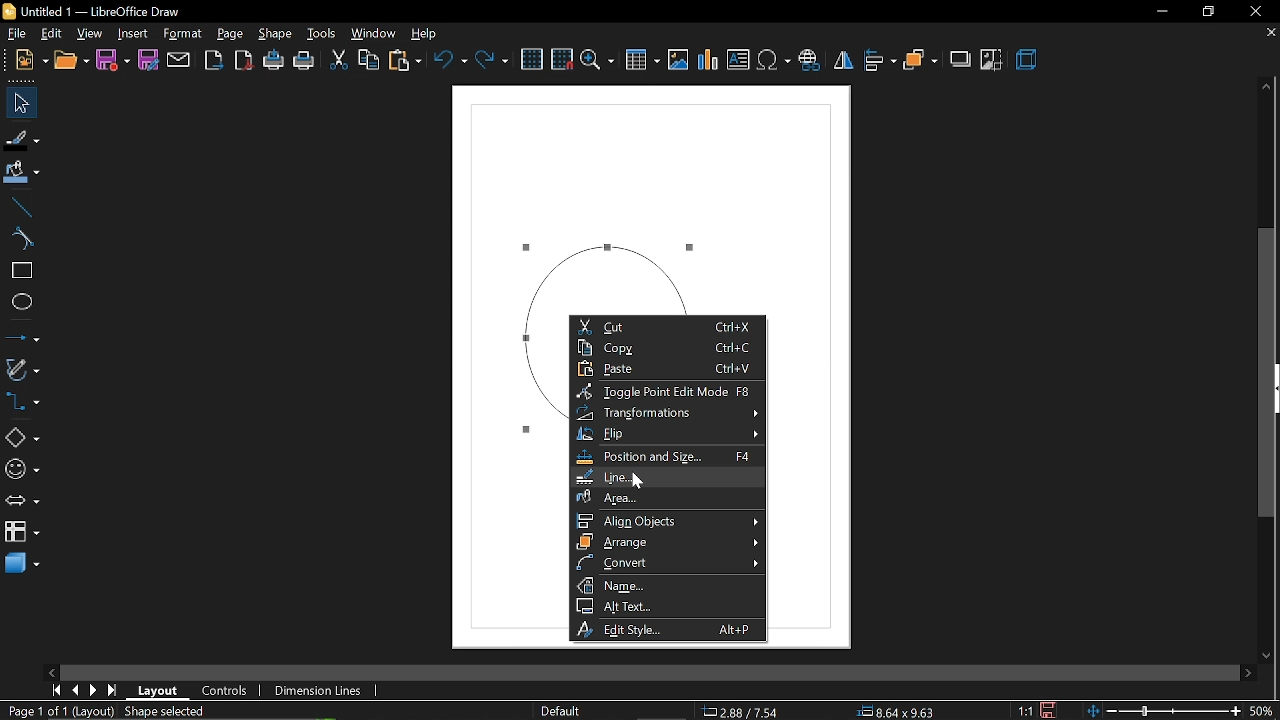 The width and height of the screenshot is (1280, 720). Describe the element at coordinates (666, 368) in the screenshot. I see `paste` at that location.